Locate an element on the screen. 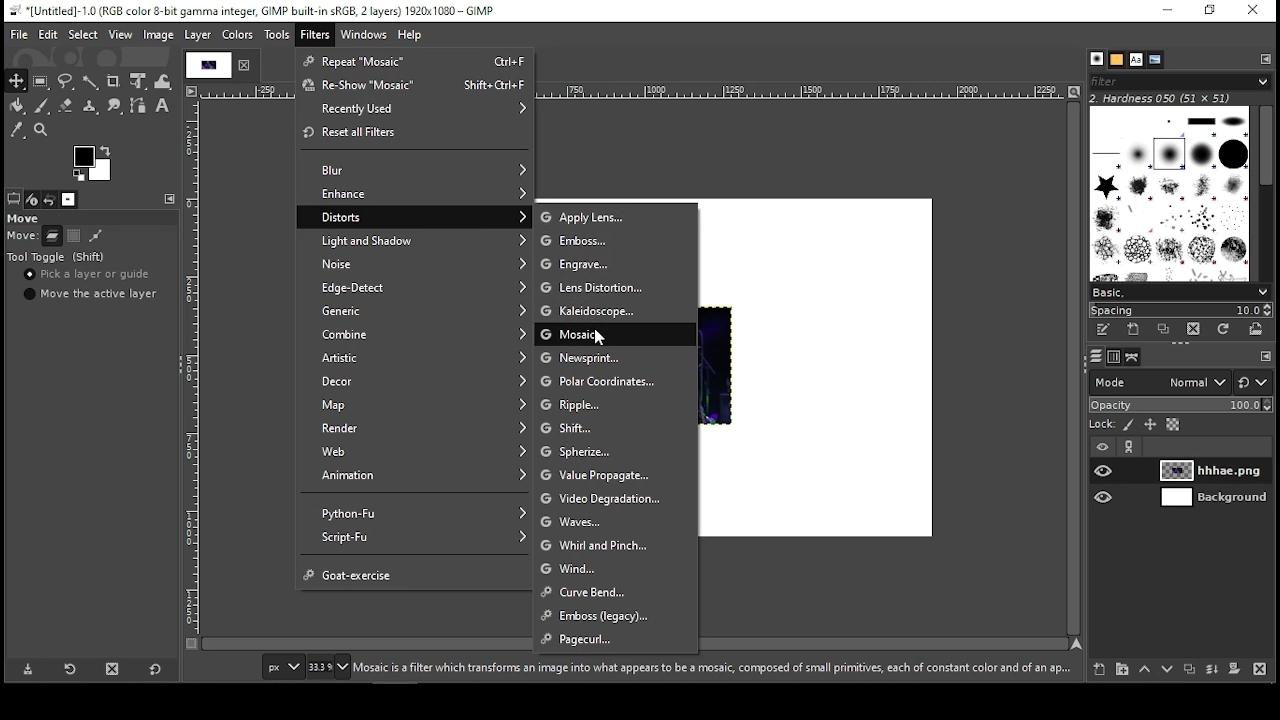  document history is located at coordinates (1156, 59).